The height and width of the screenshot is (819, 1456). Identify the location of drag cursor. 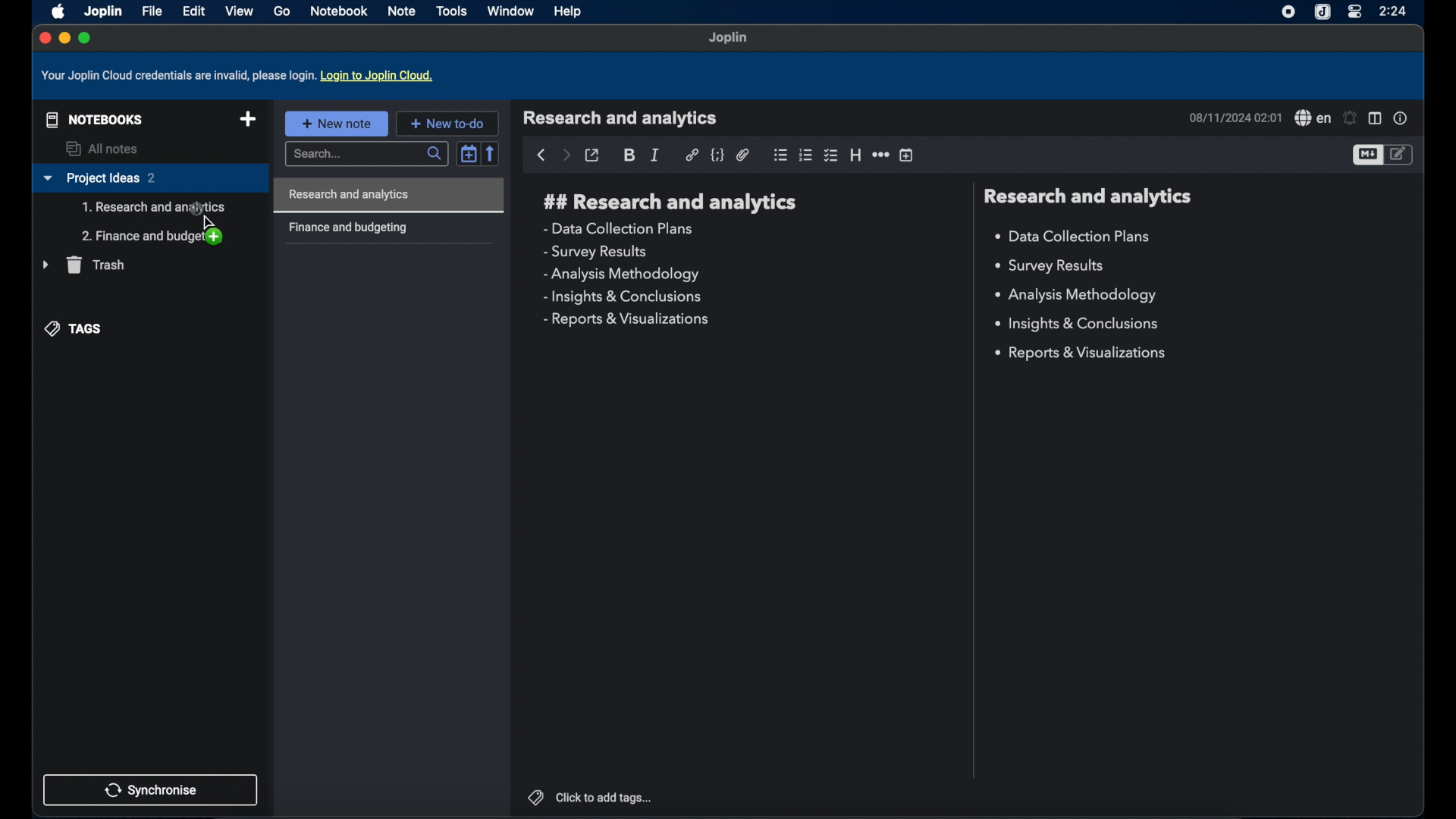
(206, 223).